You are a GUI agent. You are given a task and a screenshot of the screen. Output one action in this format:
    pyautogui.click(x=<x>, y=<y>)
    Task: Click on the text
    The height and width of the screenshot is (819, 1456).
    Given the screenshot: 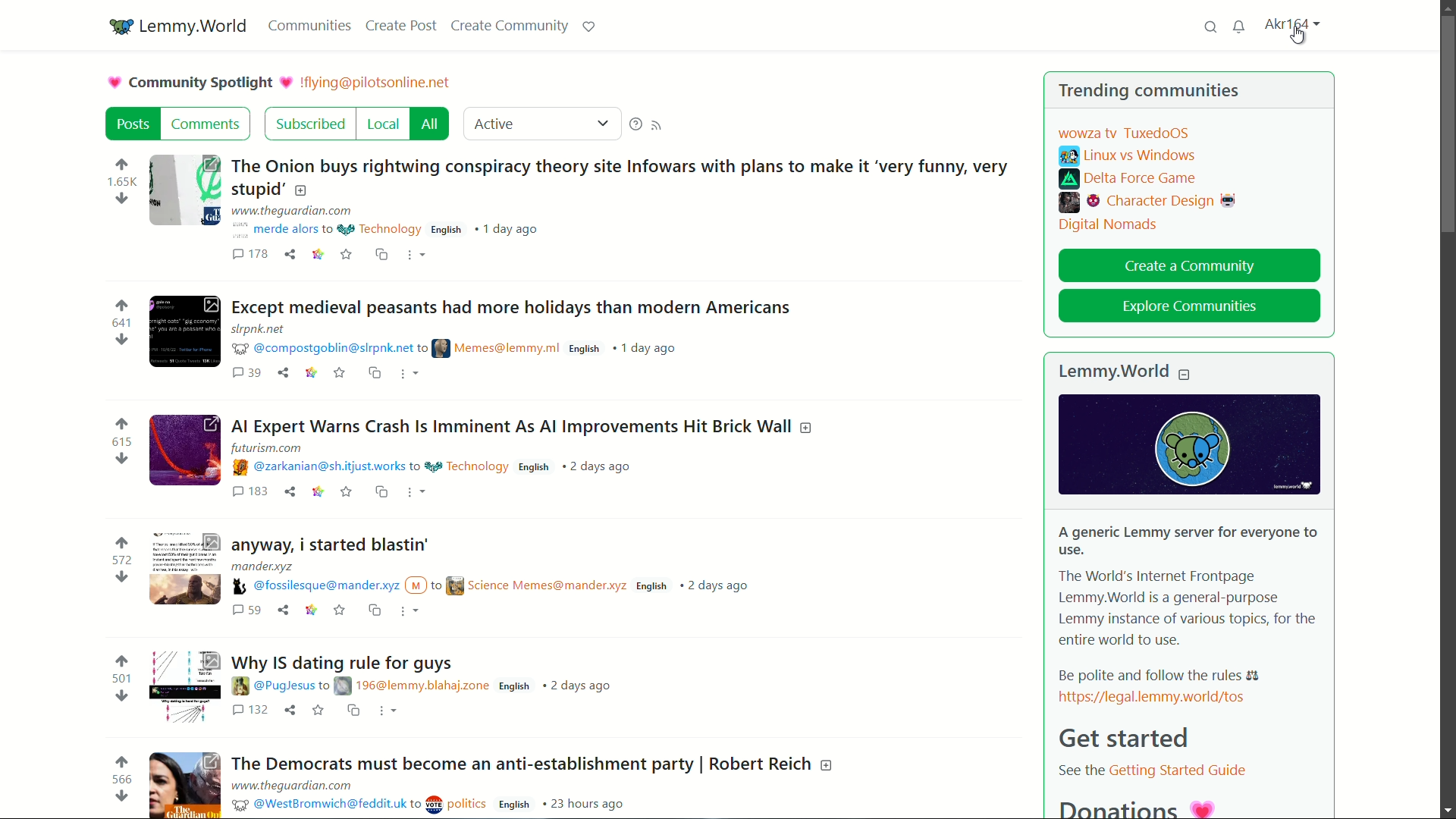 What is the action you would take?
    pyautogui.click(x=1146, y=771)
    